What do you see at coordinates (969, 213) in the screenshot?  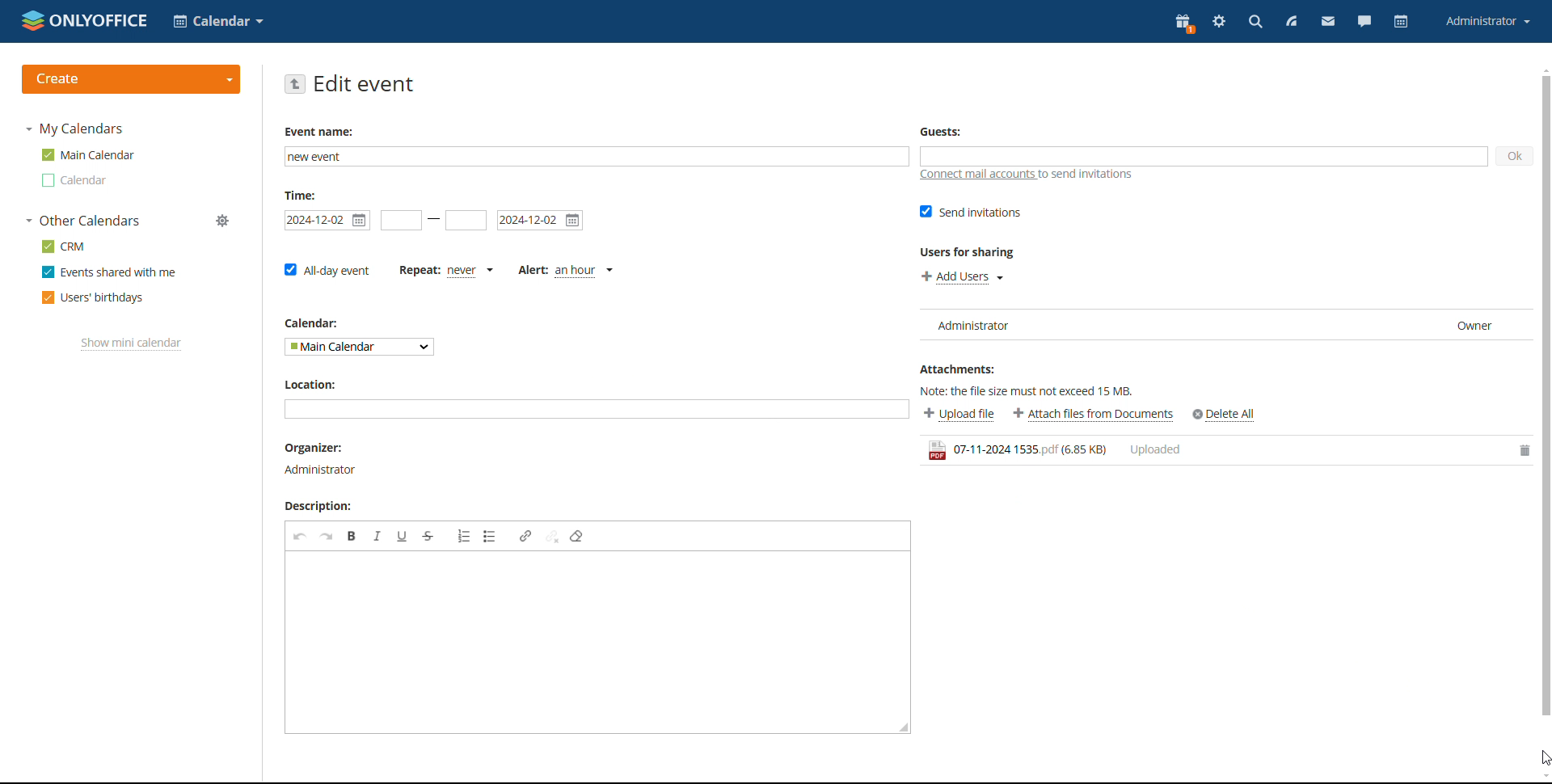 I see `send invitations` at bounding box center [969, 213].